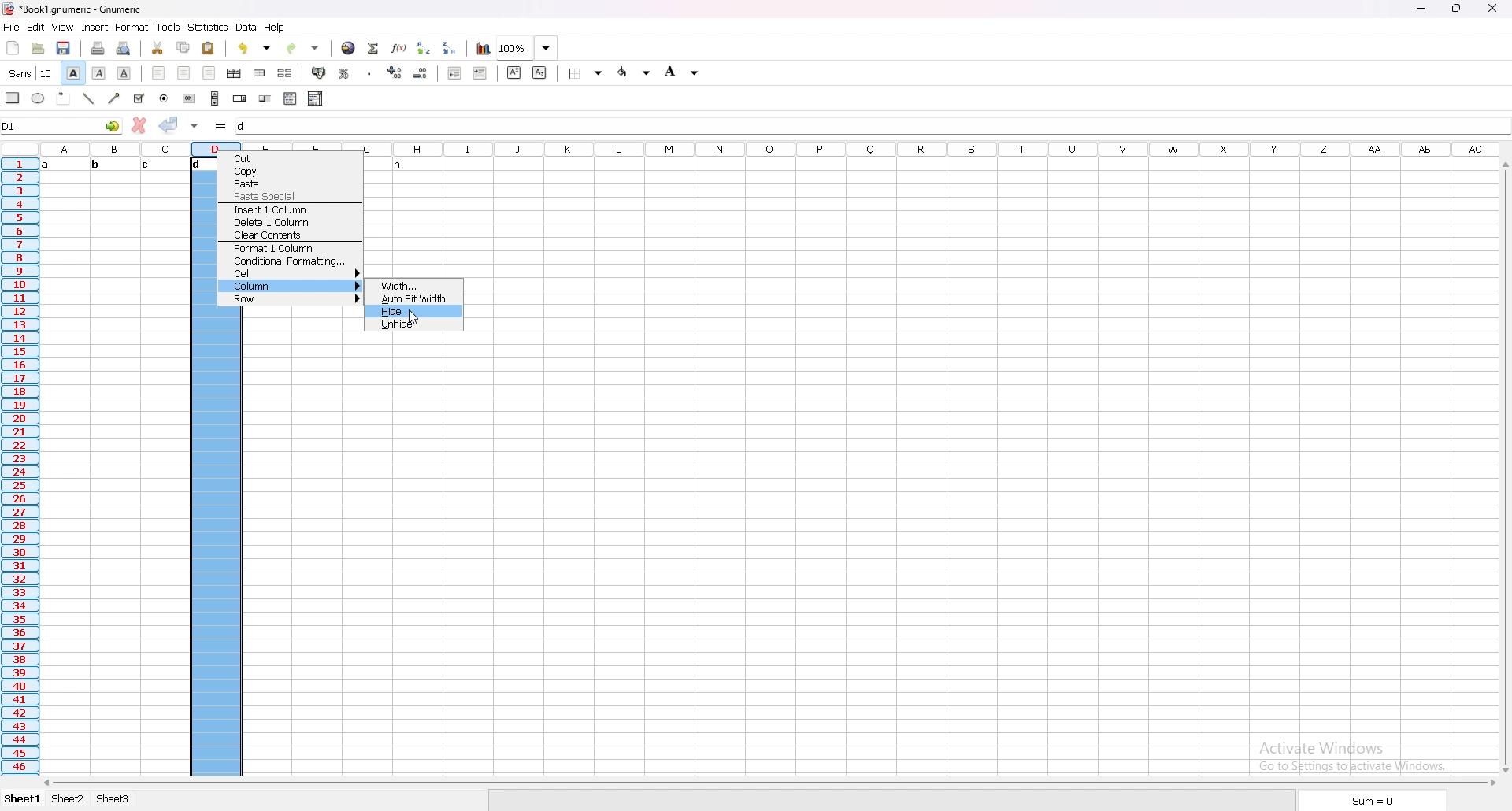 Image resolution: width=1512 pixels, height=811 pixels. What do you see at coordinates (132, 28) in the screenshot?
I see `format` at bounding box center [132, 28].